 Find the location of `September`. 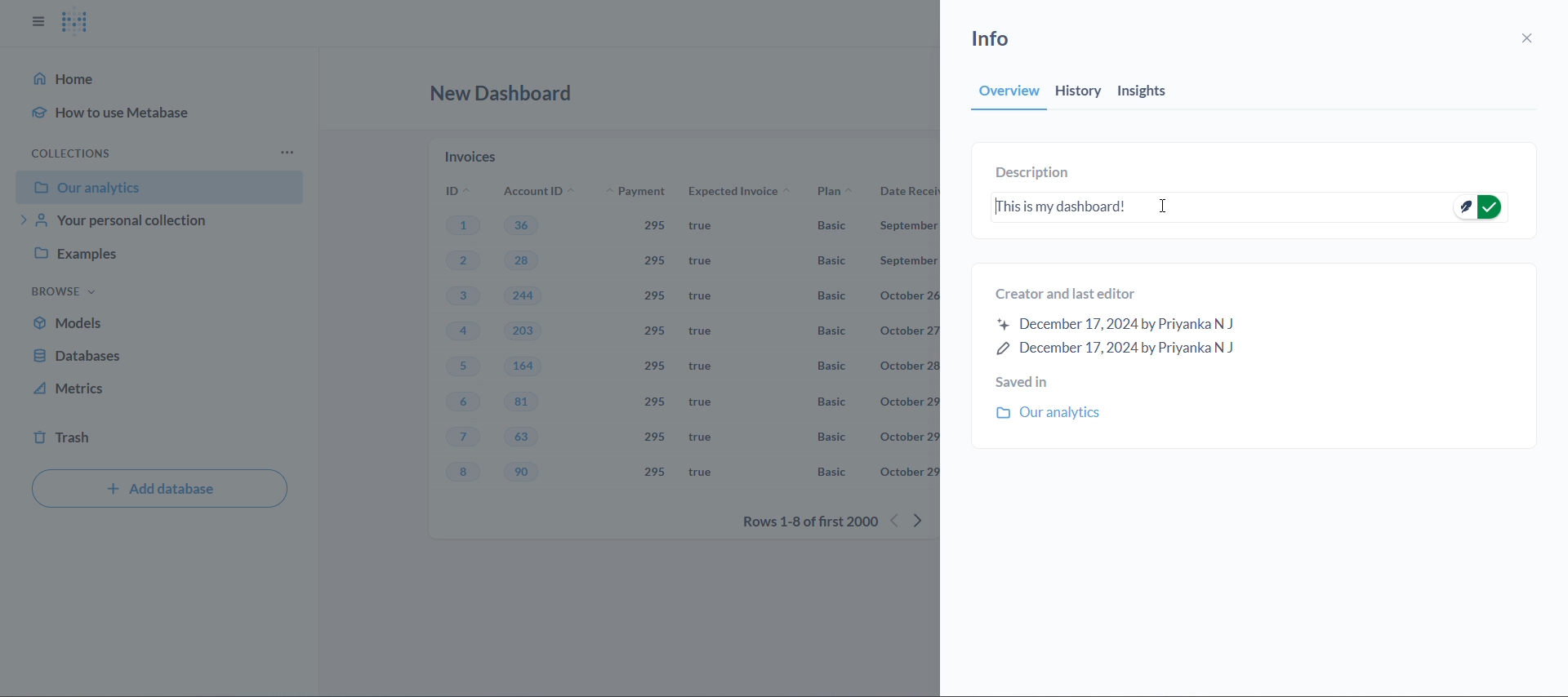

September is located at coordinates (909, 228).